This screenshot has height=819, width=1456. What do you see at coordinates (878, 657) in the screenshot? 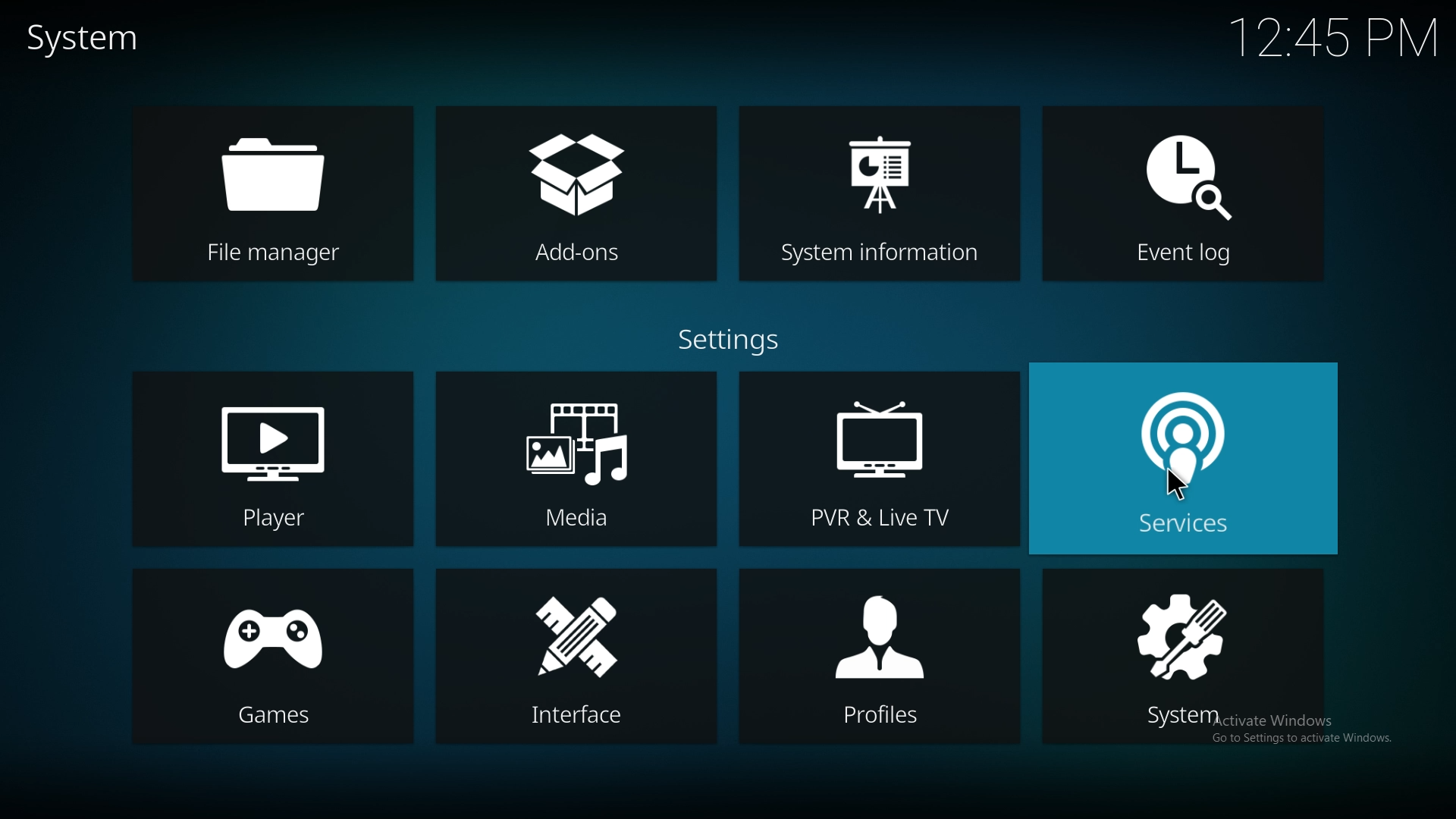
I see `profiles` at bounding box center [878, 657].